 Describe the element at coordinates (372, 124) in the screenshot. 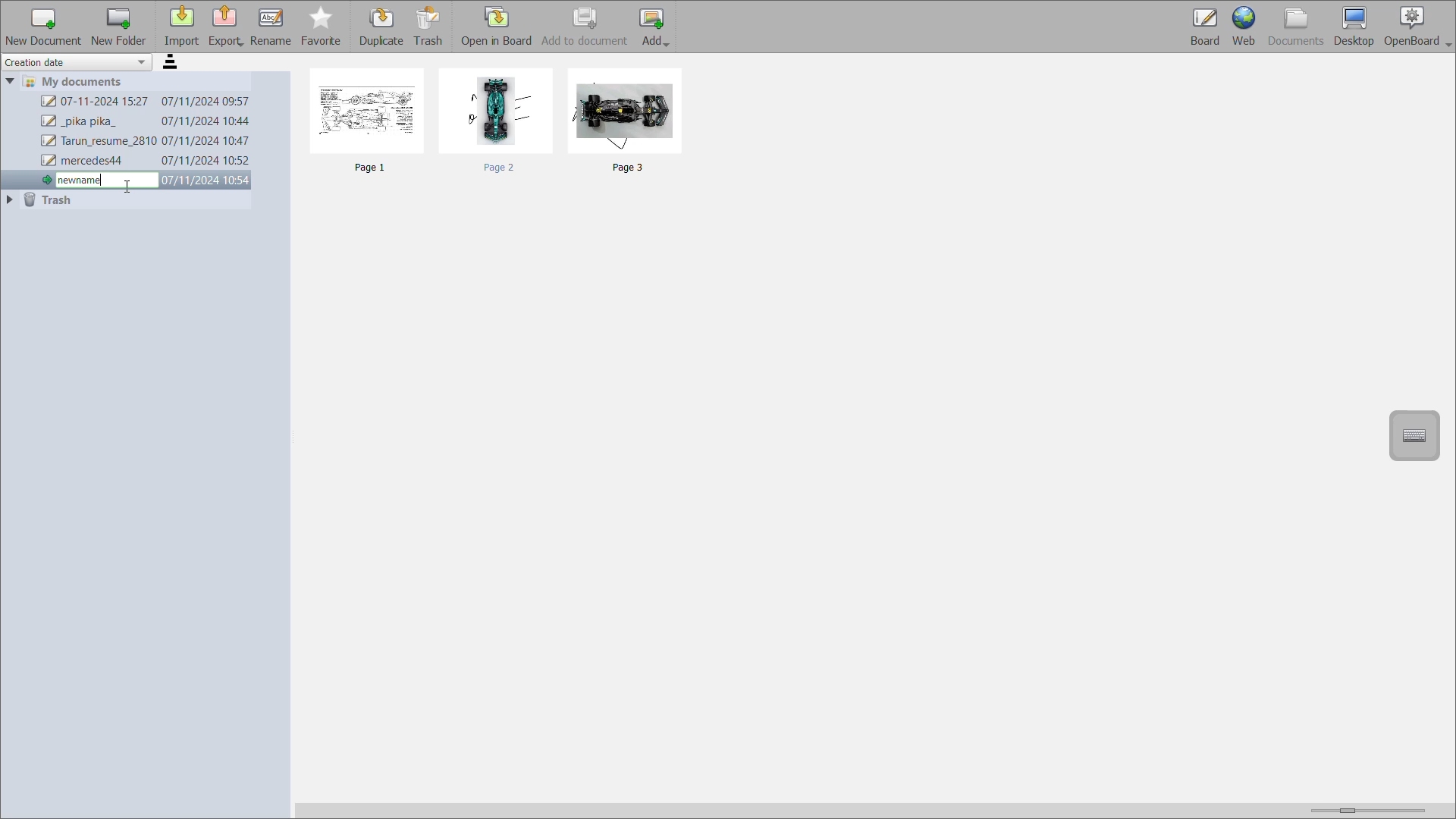

I see `page1` at that location.